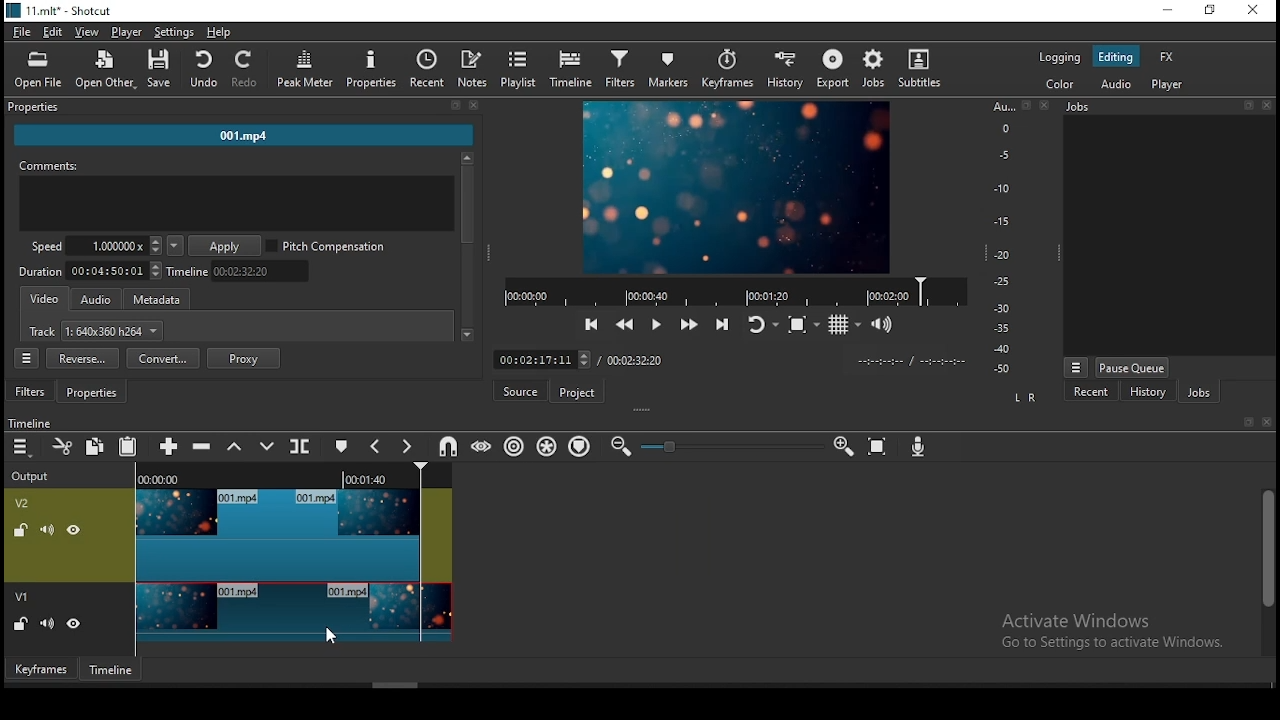 This screenshot has height=720, width=1280. Describe the element at coordinates (227, 247) in the screenshot. I see `apply` at that location.